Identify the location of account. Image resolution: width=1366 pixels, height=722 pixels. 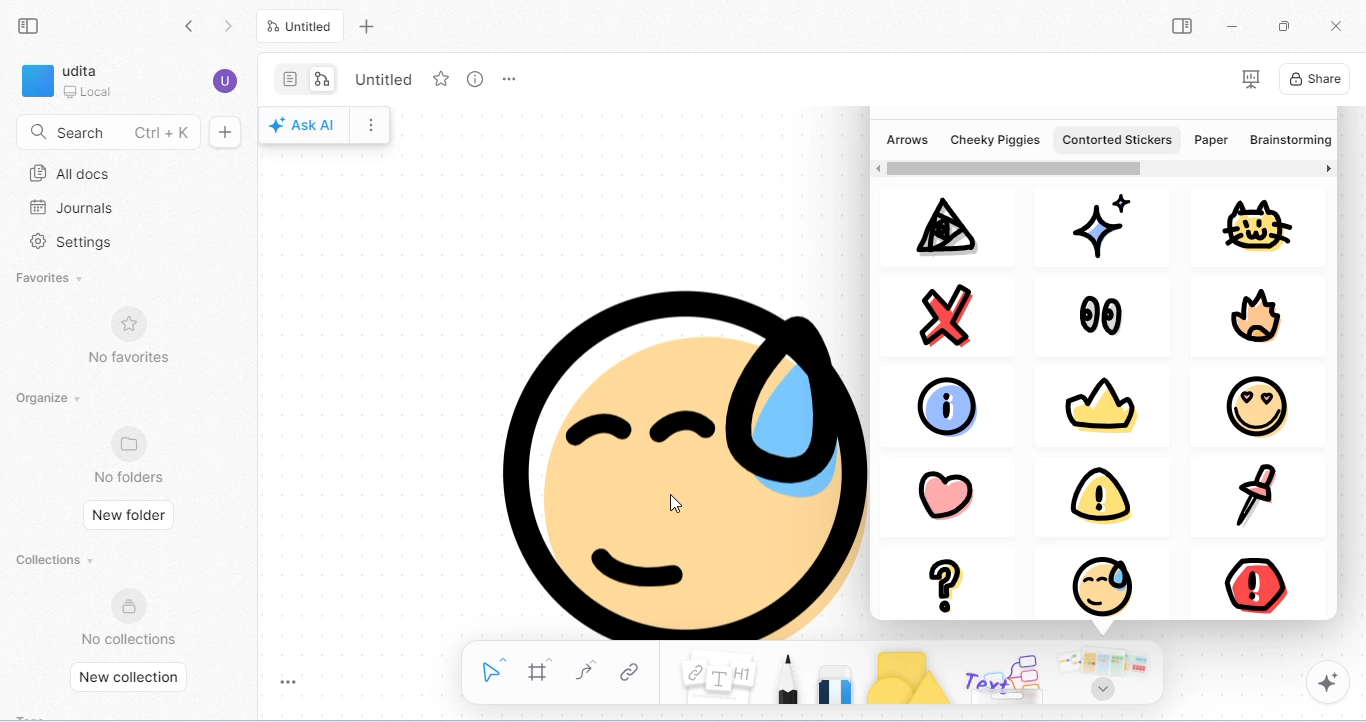
(226, 81).